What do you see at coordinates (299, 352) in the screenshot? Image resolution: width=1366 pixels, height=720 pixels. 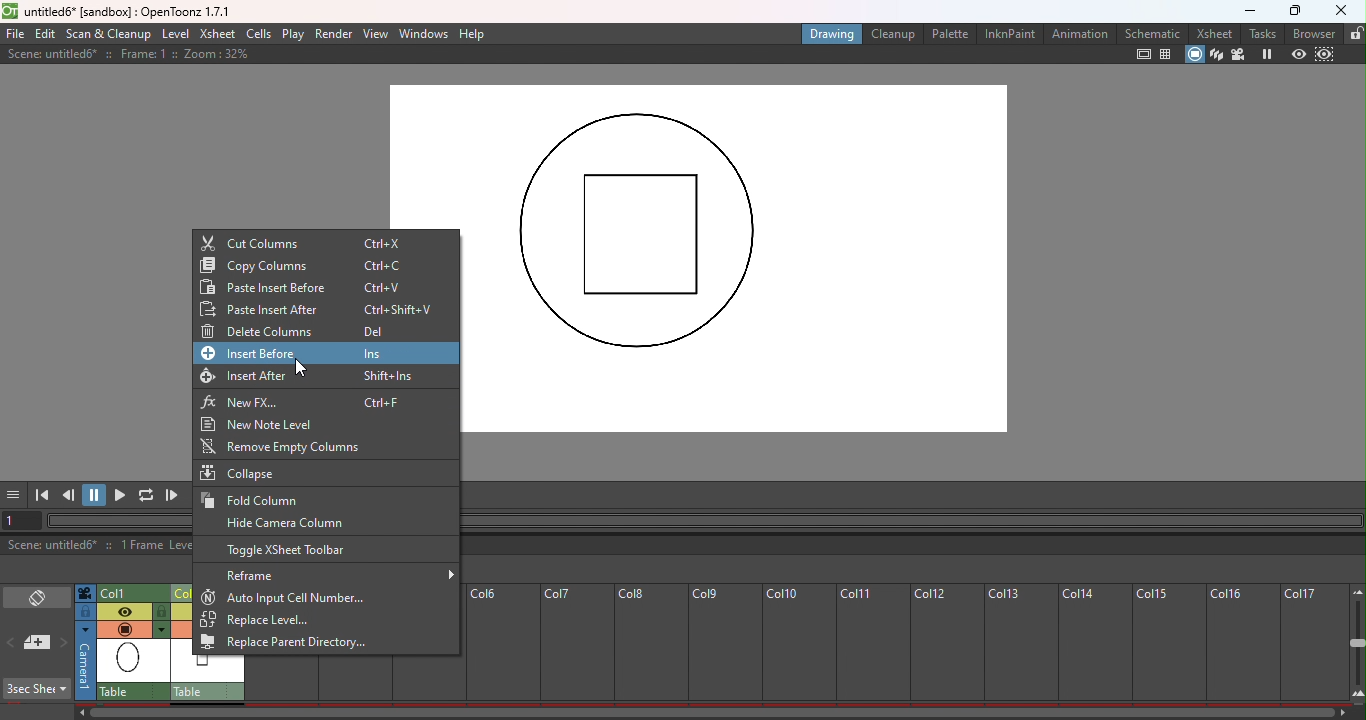 I see `Insert before` at bounding box center [299, 352].